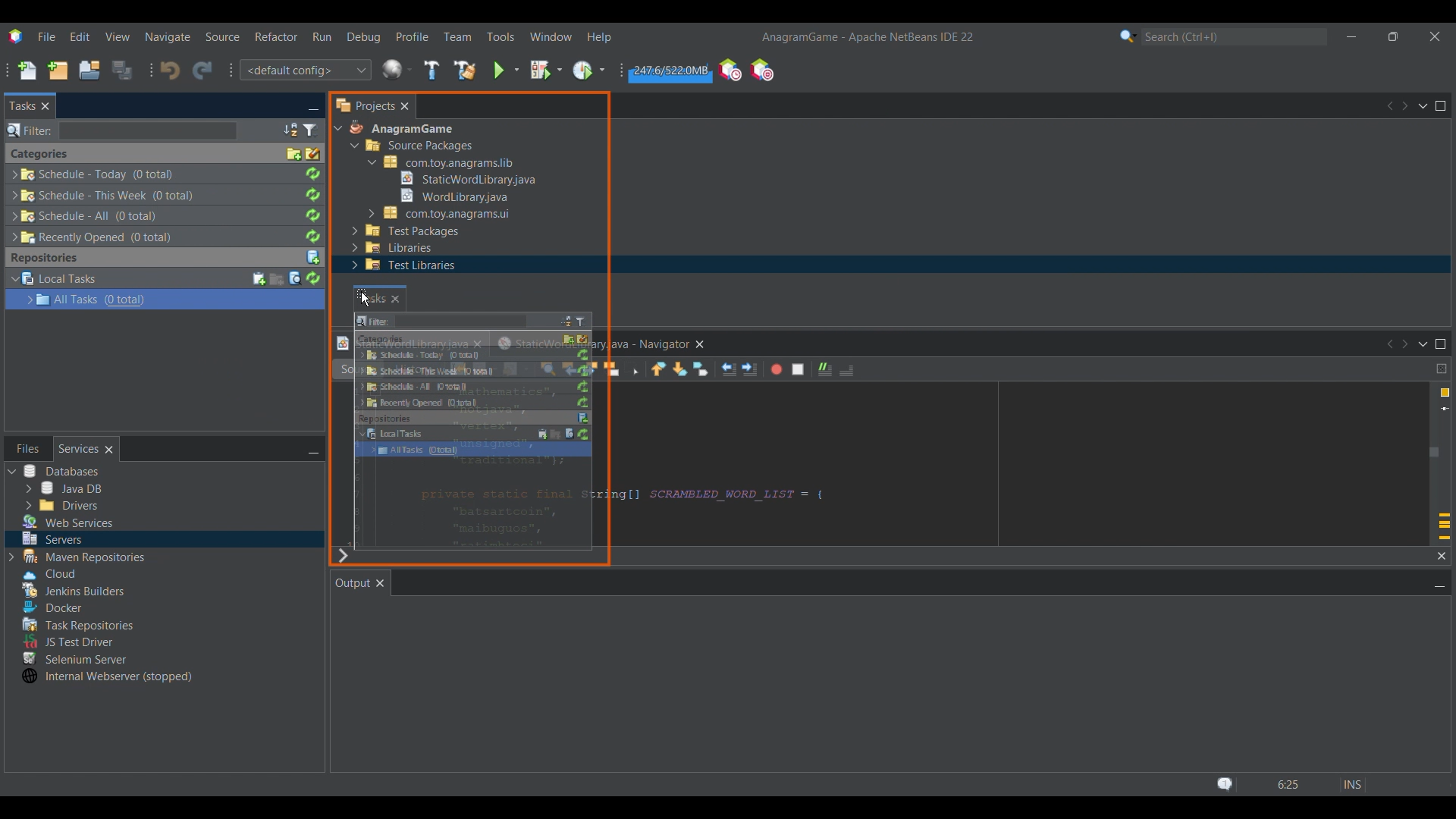  I want to click on Set tasks window sorting, so click(290, 130).